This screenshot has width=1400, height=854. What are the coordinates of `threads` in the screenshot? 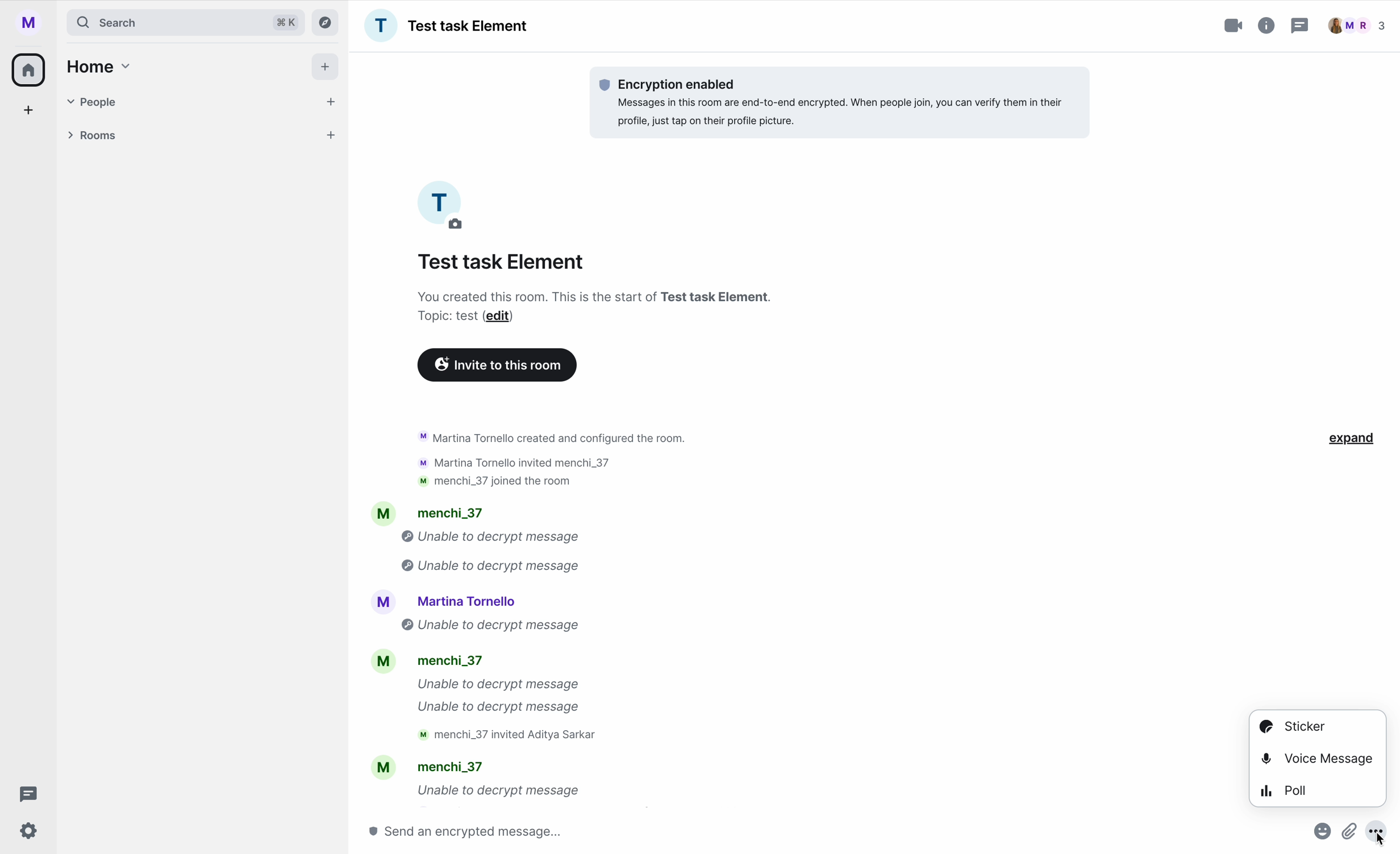 It's located at (1298, 27).